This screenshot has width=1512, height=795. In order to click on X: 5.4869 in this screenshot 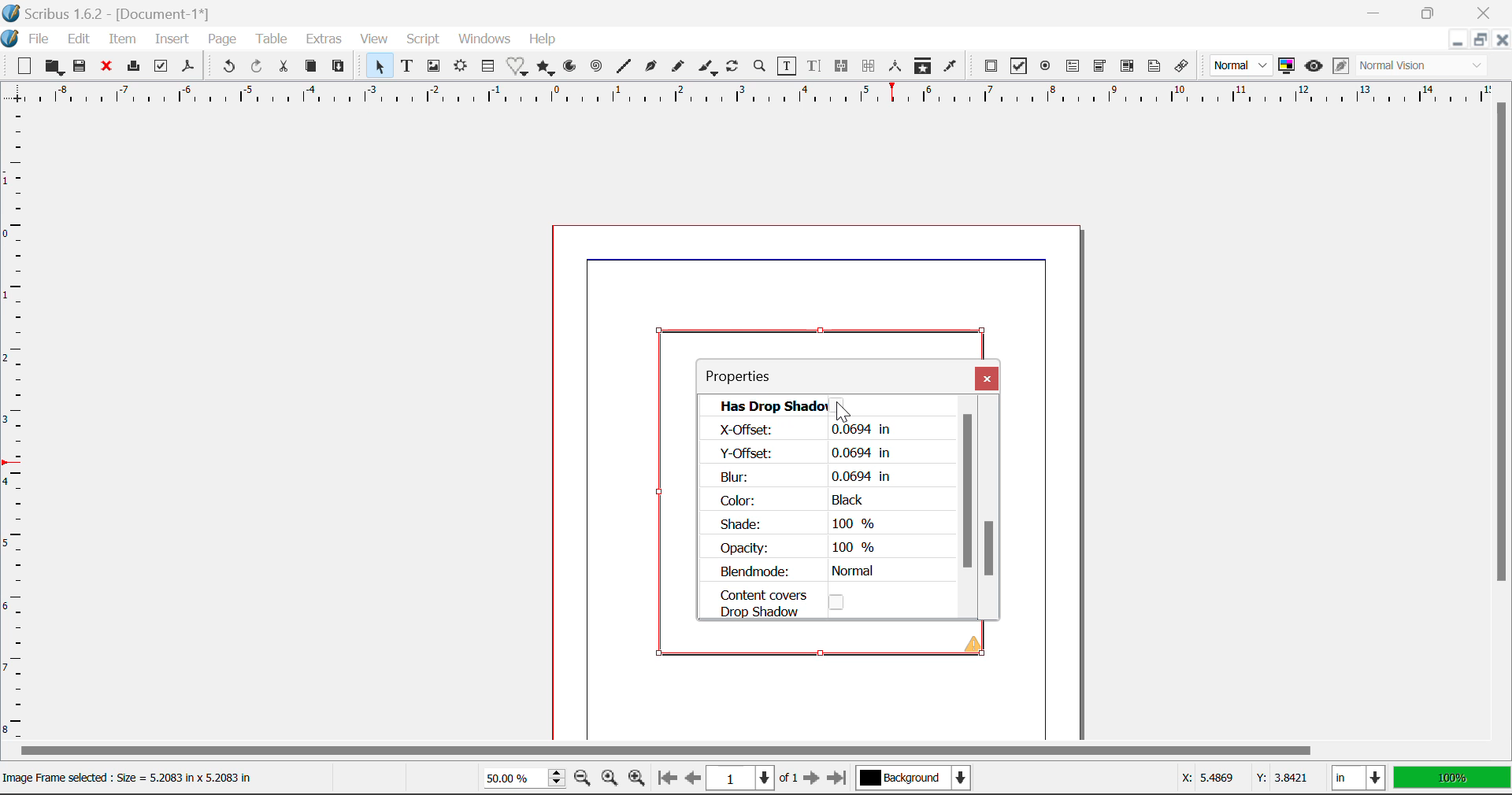, I will do `click(1206, 777)`.